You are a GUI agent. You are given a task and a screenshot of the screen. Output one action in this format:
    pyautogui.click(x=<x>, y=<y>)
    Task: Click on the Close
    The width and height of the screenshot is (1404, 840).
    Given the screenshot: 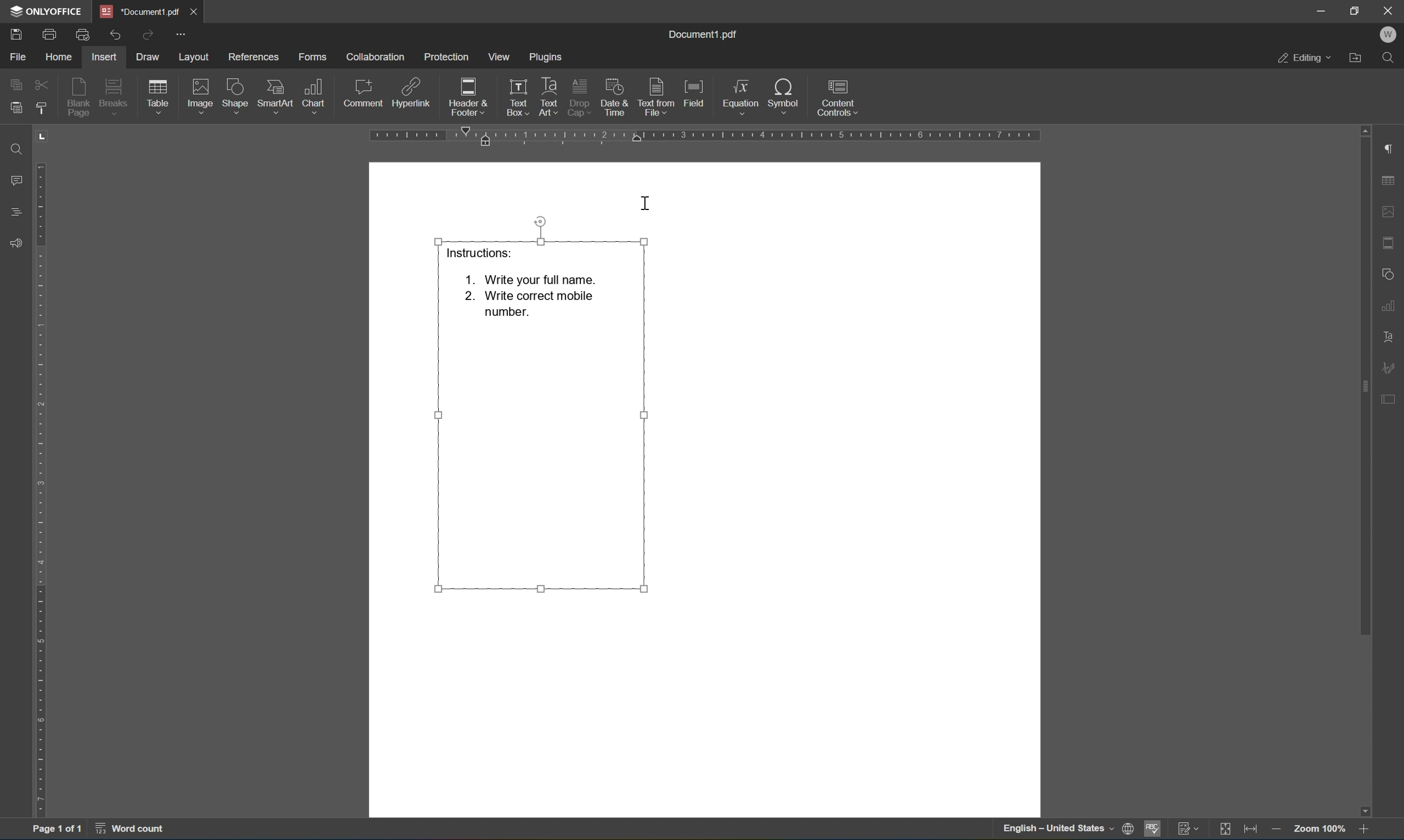 What is the action you would take?
    pyautogui.click(x=1392, y=11)
    